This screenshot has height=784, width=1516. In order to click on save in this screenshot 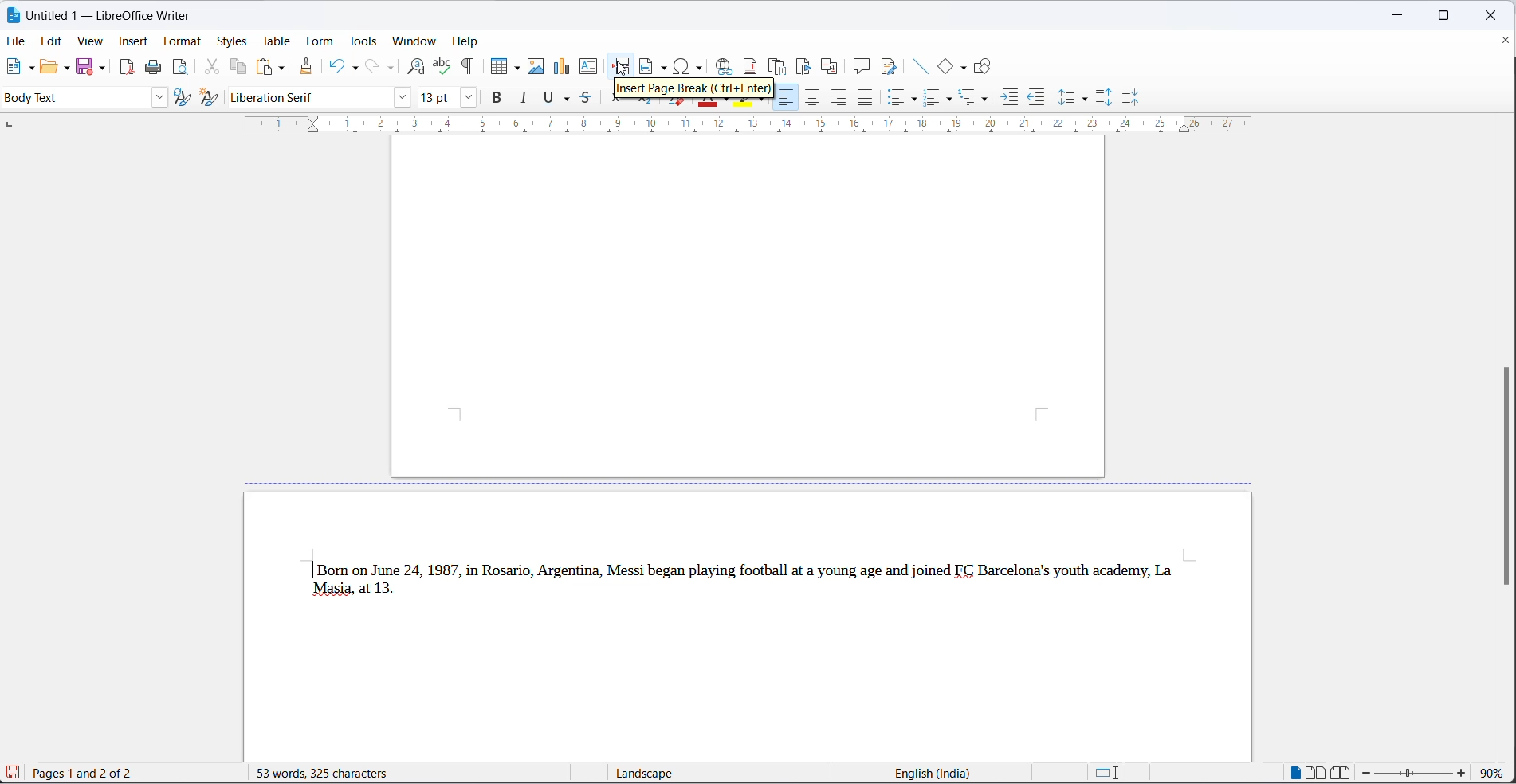, I will do `click(10, 774)`.